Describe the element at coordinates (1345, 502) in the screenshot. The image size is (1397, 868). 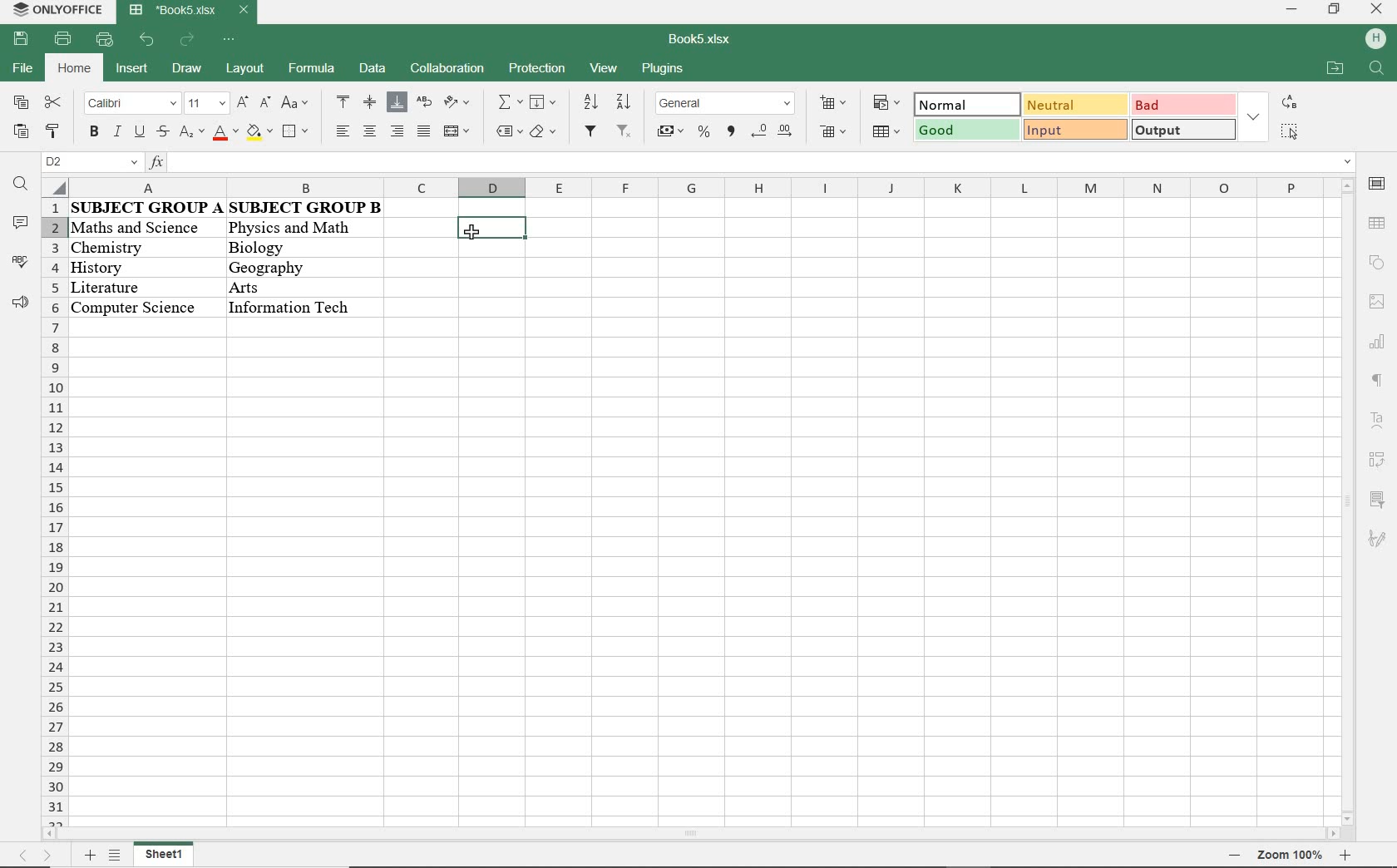
I see `scrollbar` at that location.